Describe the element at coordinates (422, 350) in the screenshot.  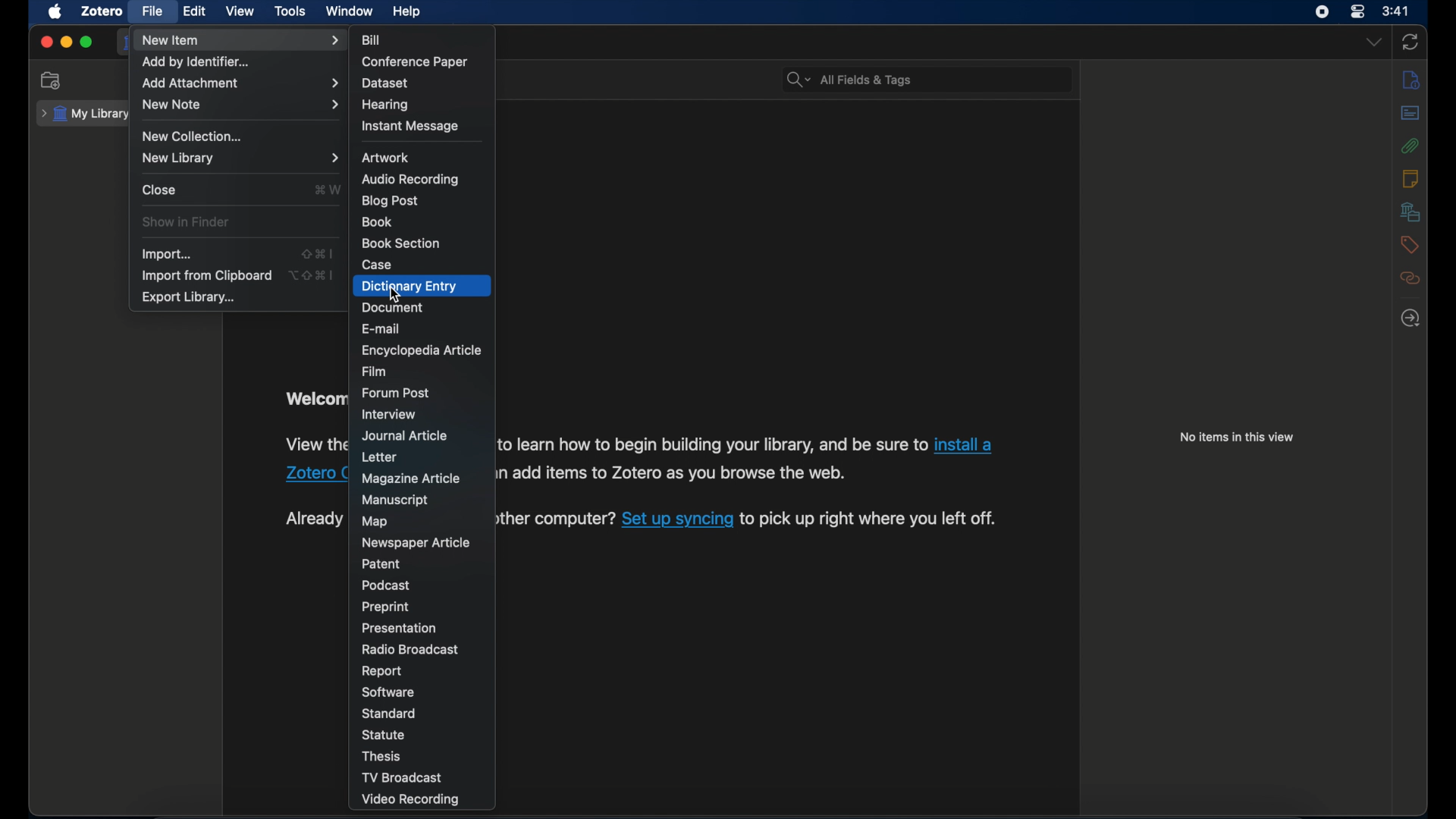
I see `encyclopedia article` at that location.